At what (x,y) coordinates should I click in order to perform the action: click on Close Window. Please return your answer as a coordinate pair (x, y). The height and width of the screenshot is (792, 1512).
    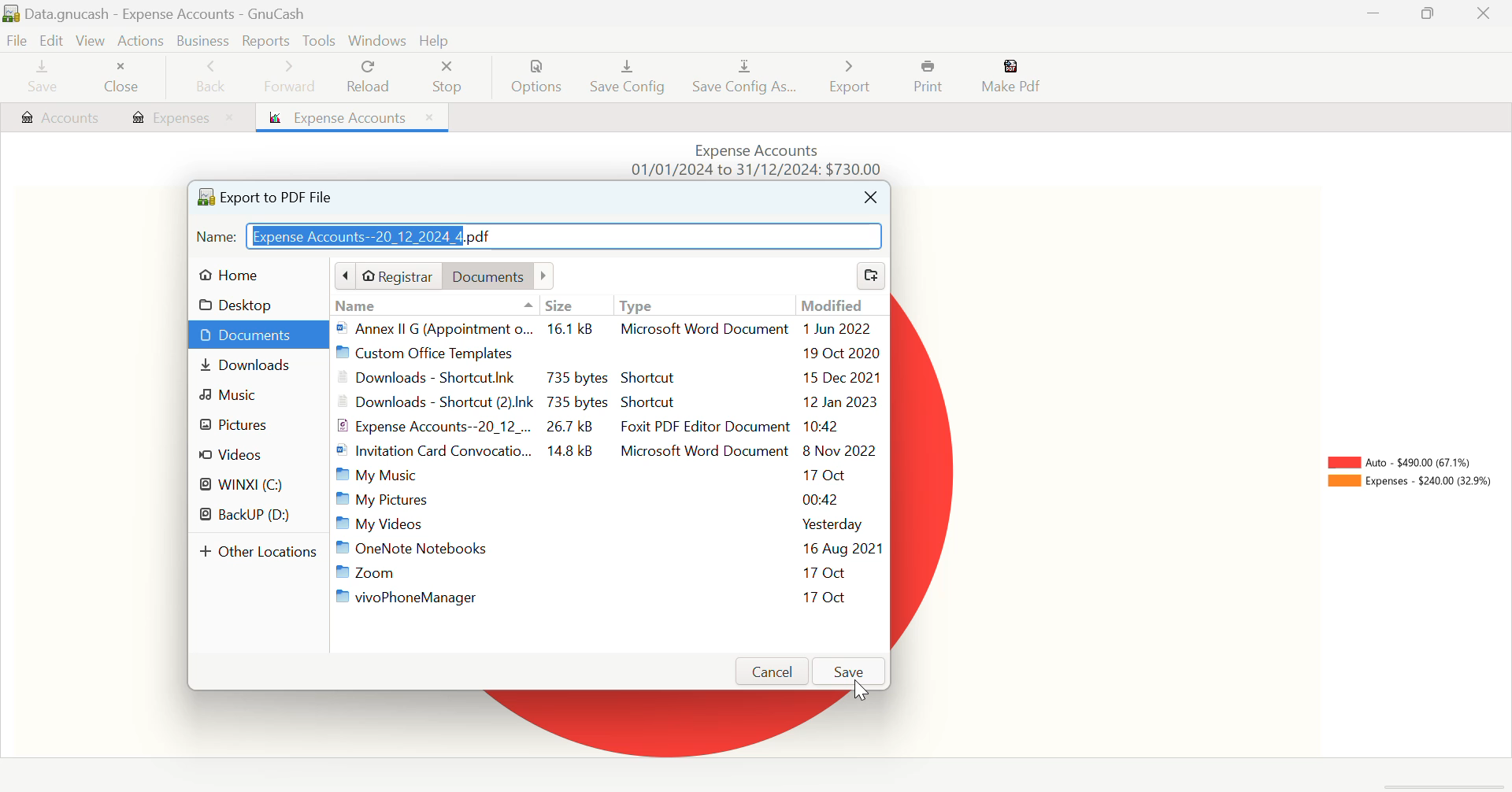
    Looking at the image, I should click on (871, 198).